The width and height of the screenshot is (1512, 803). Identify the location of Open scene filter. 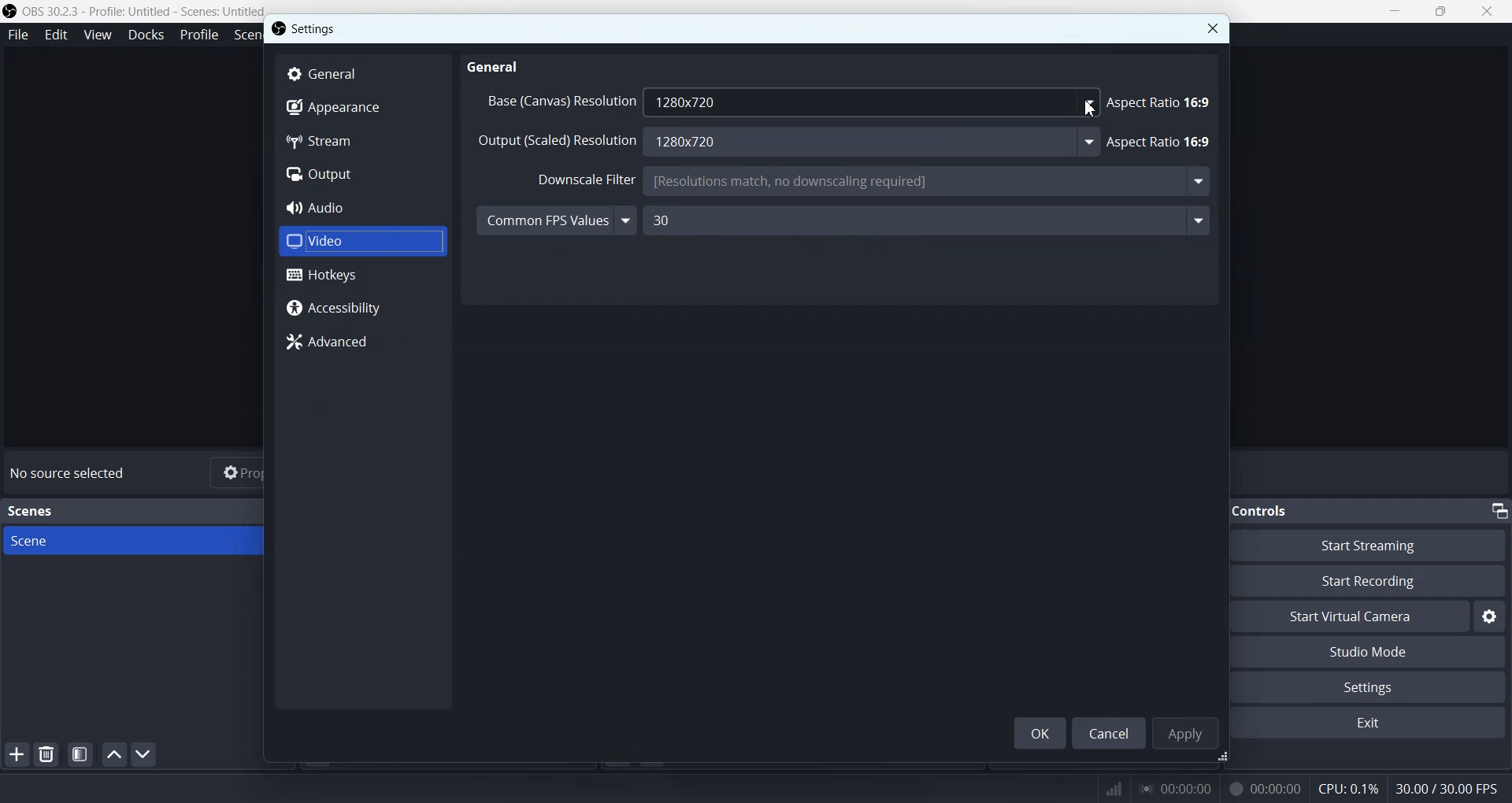
(80, 754).